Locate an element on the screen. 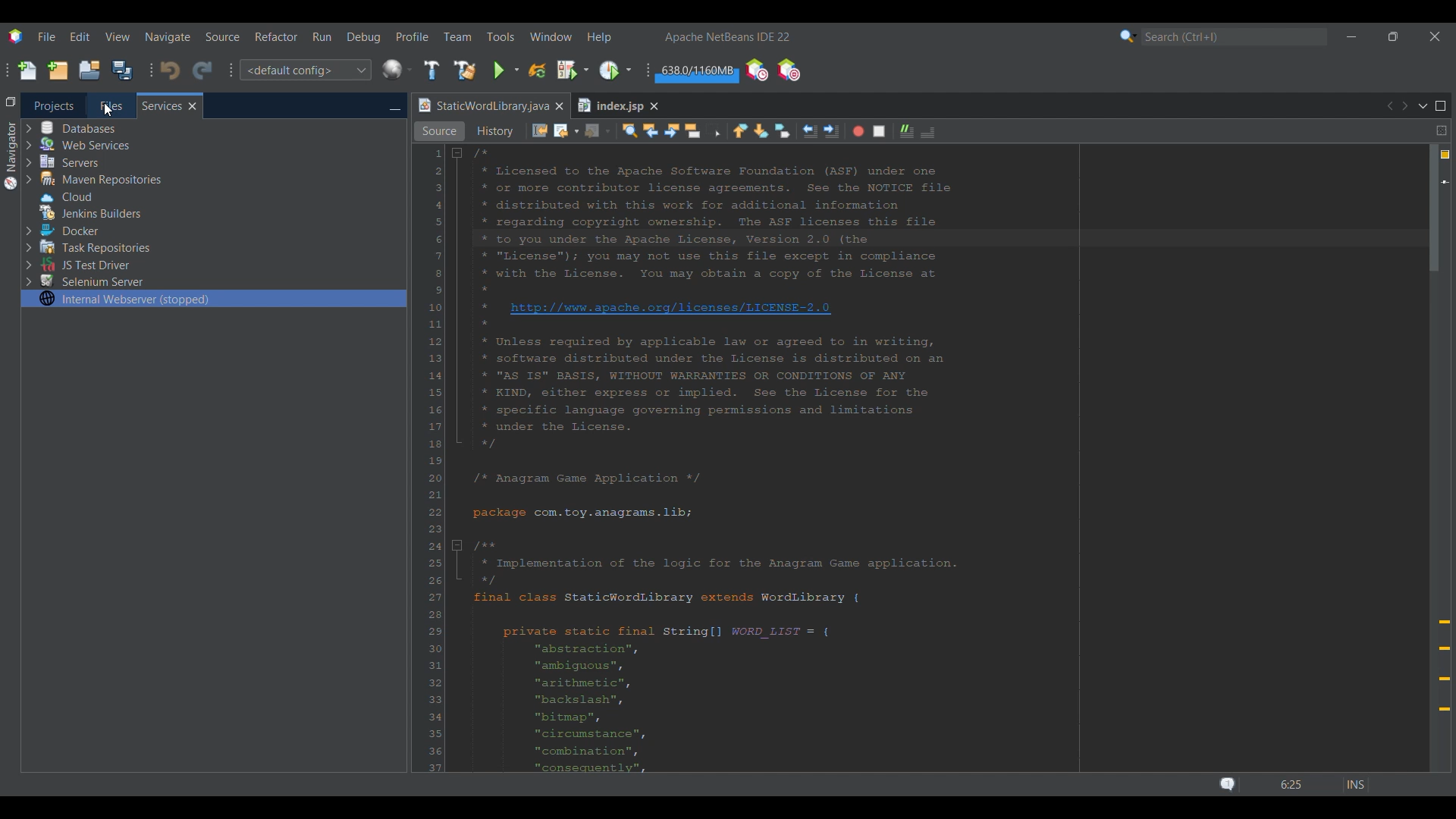 The height and width of the screenshot is (819, 1456). Status bar details is located at coordinates (1289, 784).